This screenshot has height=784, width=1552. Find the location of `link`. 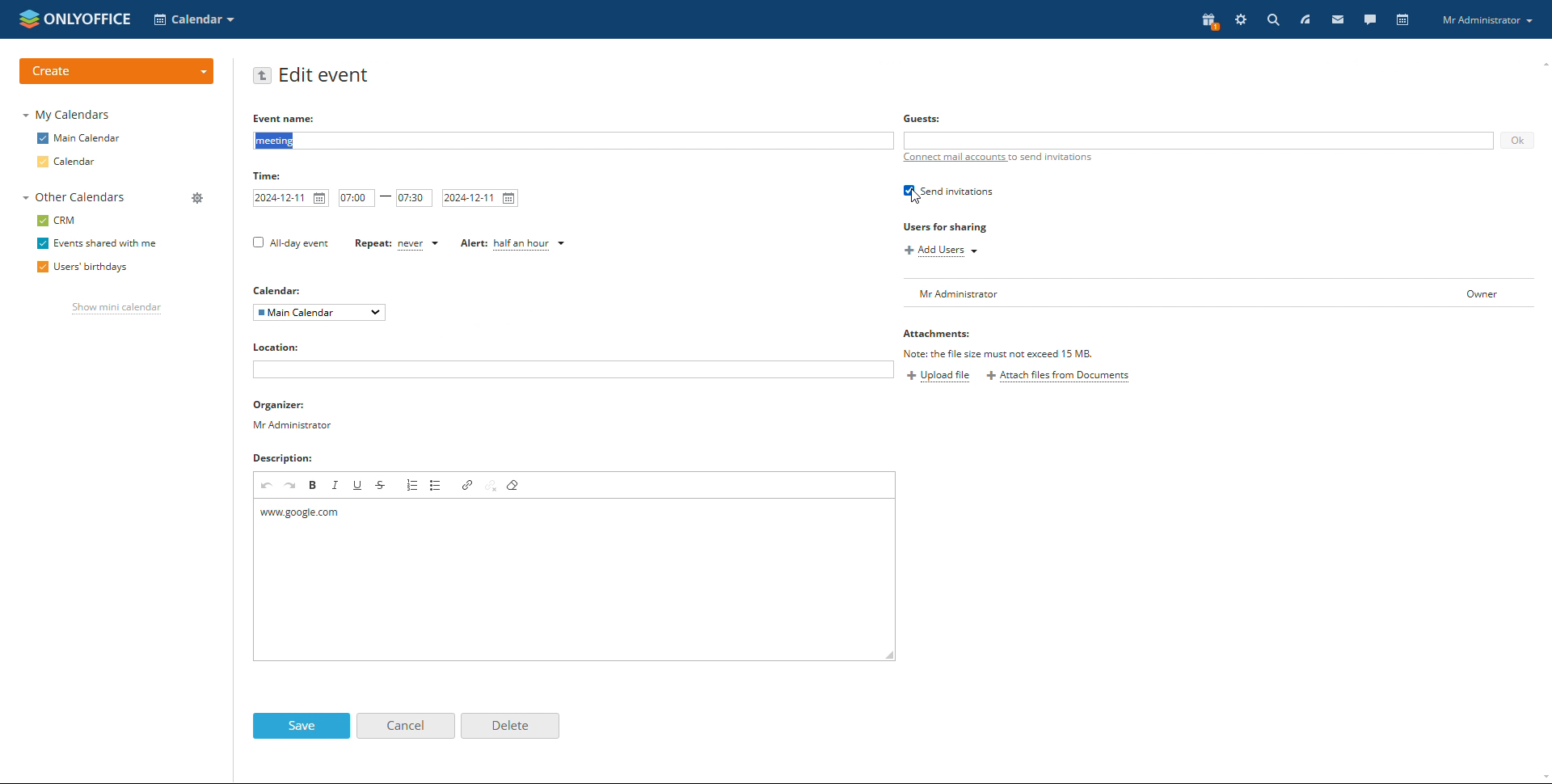

link is located at coordinates (468, 485).